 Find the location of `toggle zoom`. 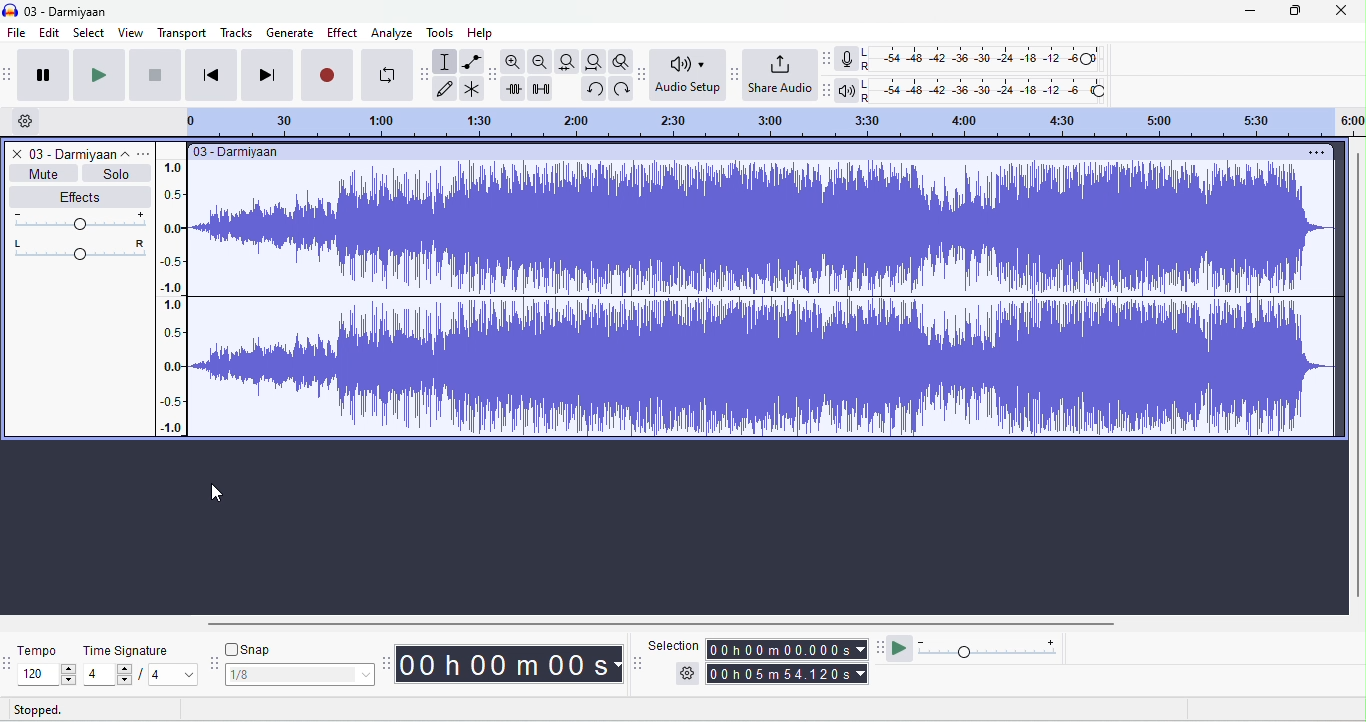

toggle zoom is located at coordinates (622, 62).